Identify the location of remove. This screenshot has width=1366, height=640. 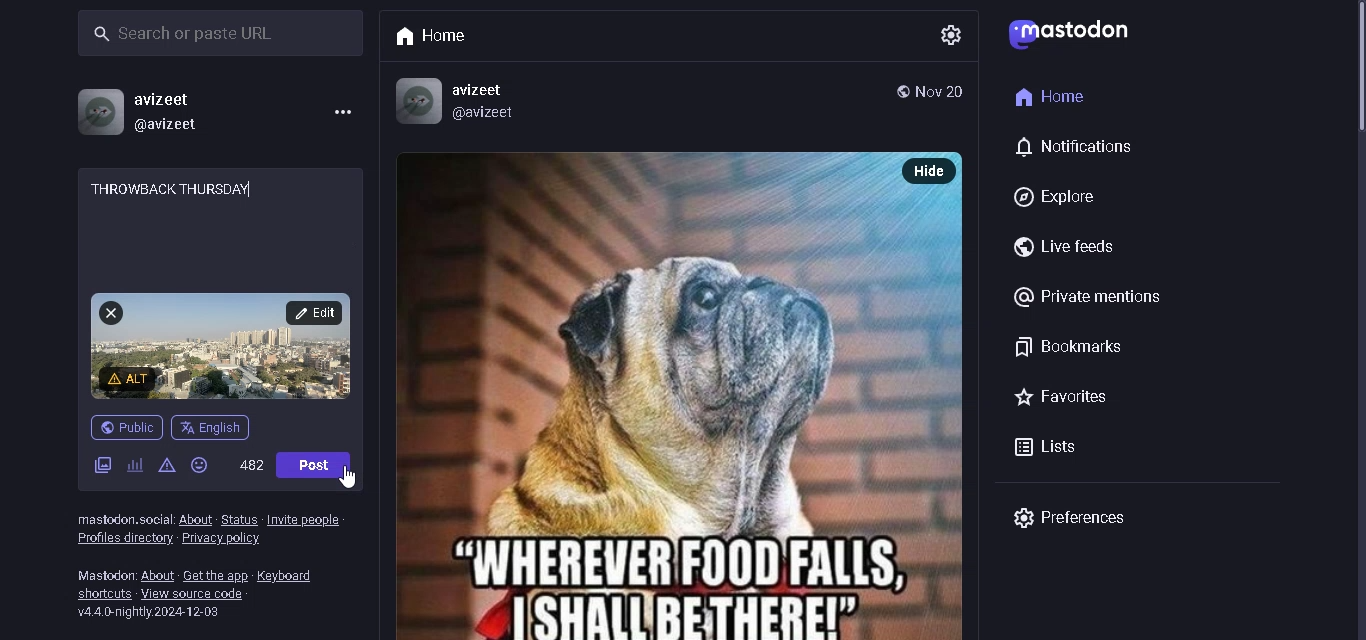
(112, 315).